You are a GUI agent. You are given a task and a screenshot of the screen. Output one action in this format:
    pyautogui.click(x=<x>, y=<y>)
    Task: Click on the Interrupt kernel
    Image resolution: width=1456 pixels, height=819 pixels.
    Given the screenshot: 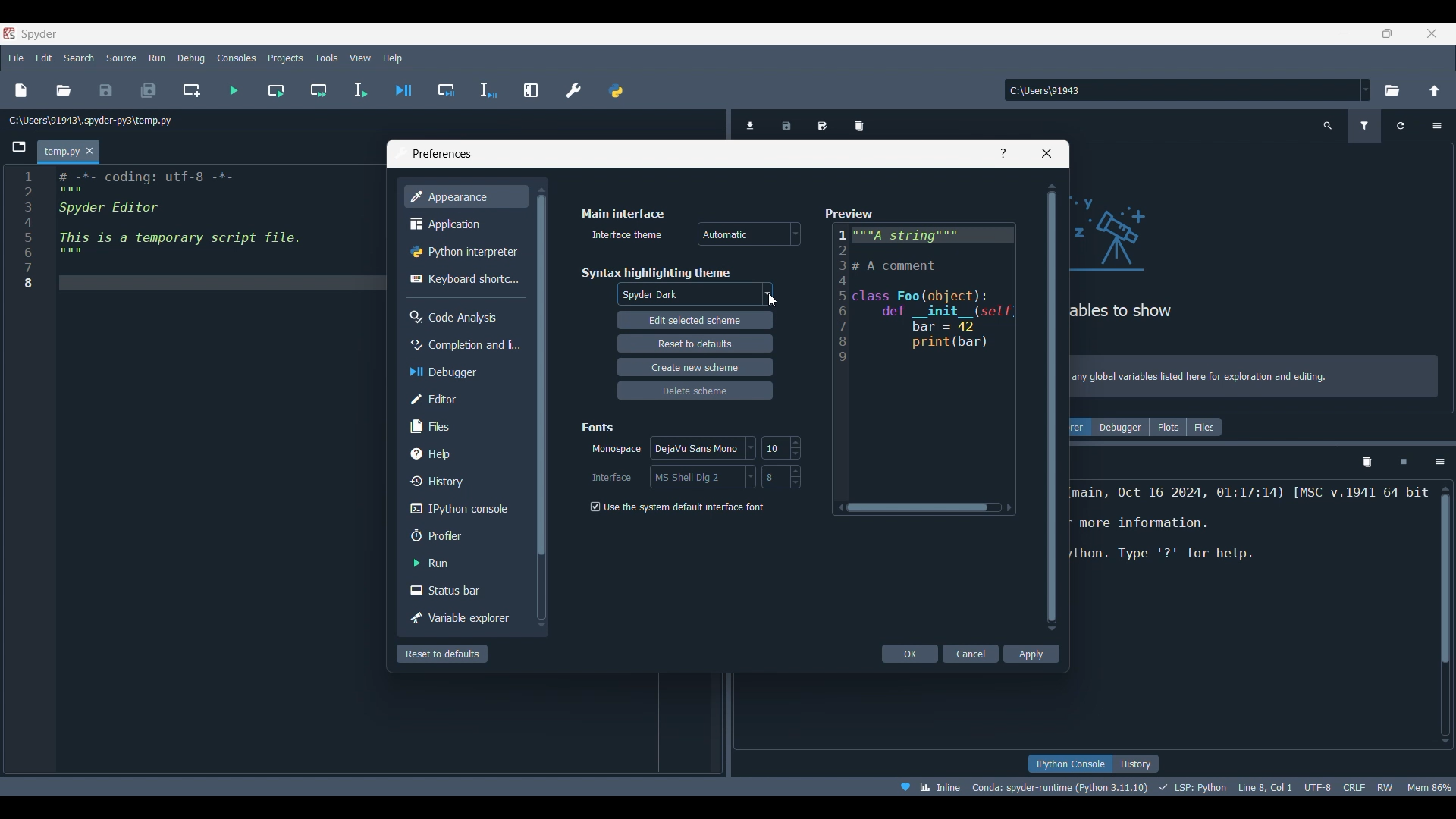 What is the action you would take?
    pyautogui.click(x=1404, y=463)
    